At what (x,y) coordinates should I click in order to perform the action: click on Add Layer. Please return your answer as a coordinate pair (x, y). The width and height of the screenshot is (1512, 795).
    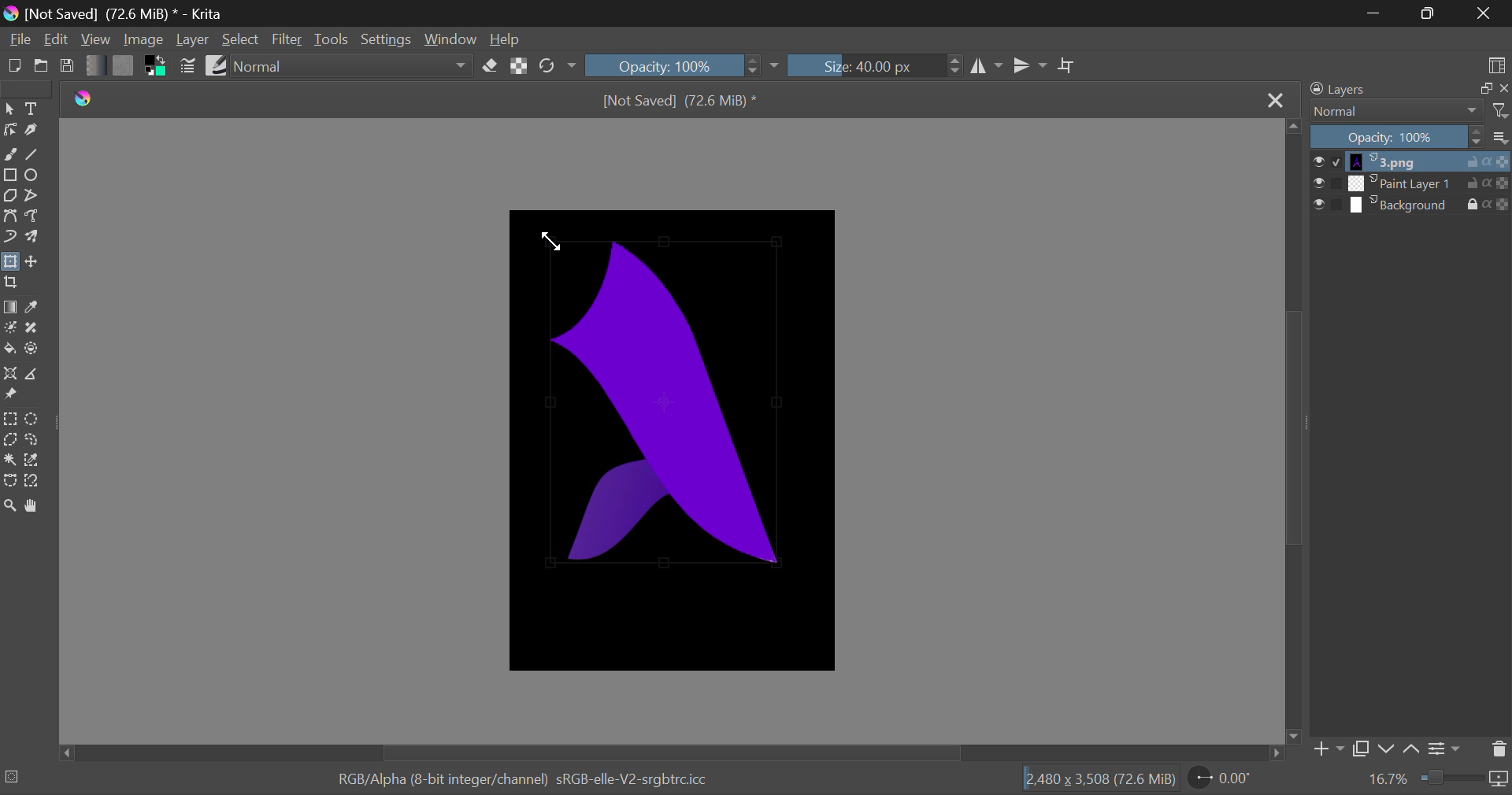
    Looking at the image, I should click on (1328, 749).